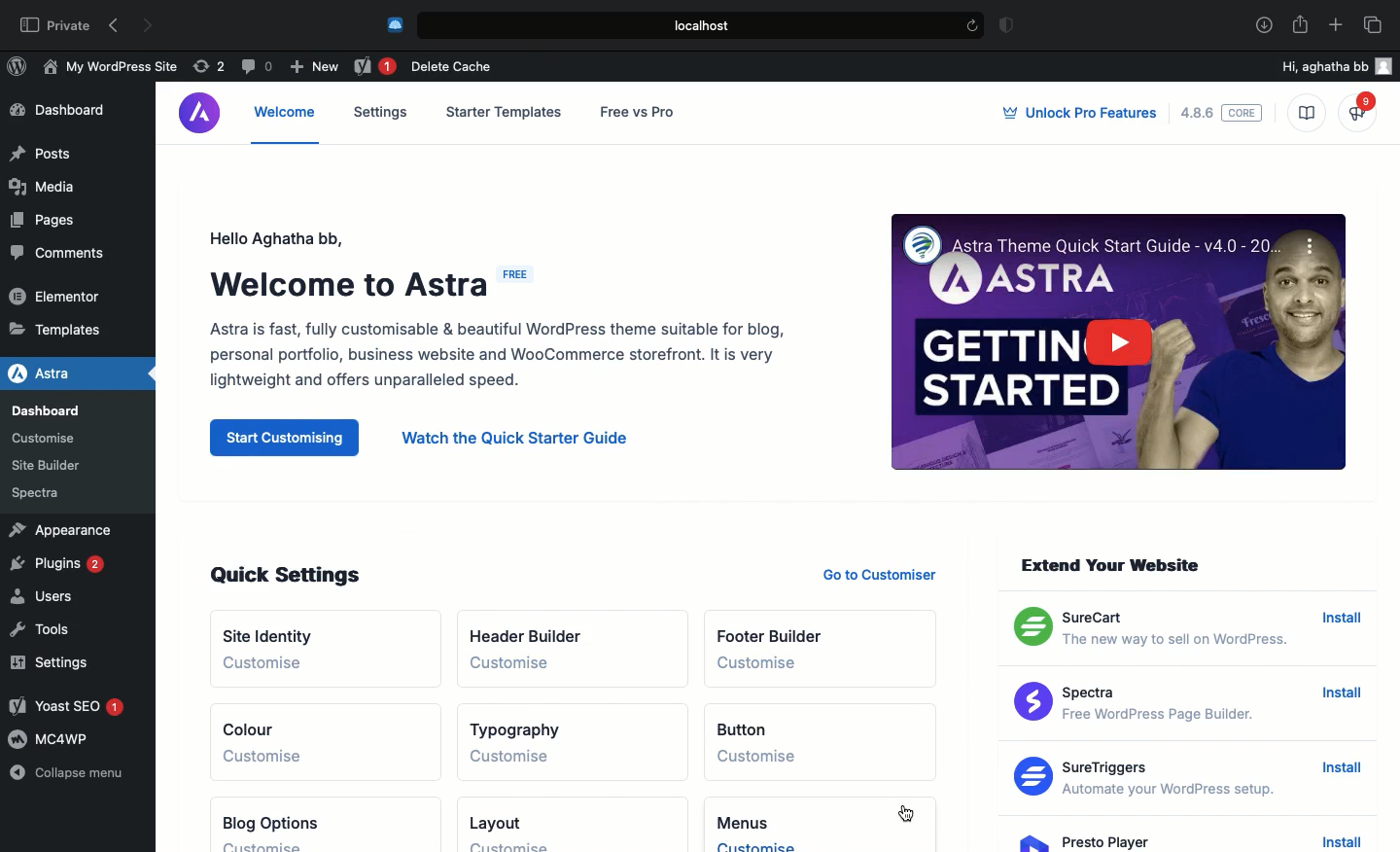 Image resolution: width=1400 pixels, height=852 pixels. I want to click on Install, so click(1336, 701).